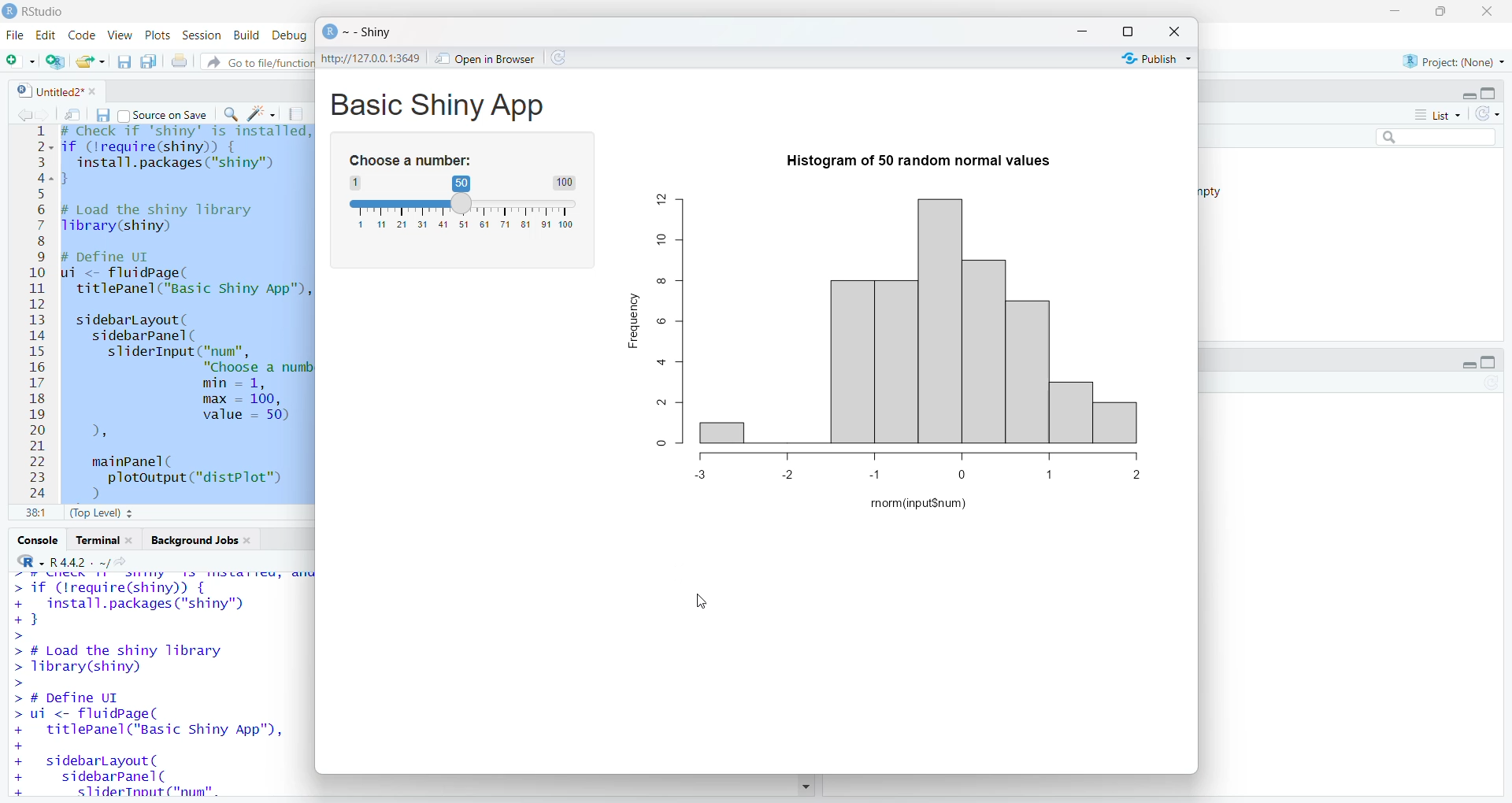  What do you see at coordinates (373, 58) in the screenshot?
I see `http://127.0.0.1:3649 ` at bounding box center [373, 58].